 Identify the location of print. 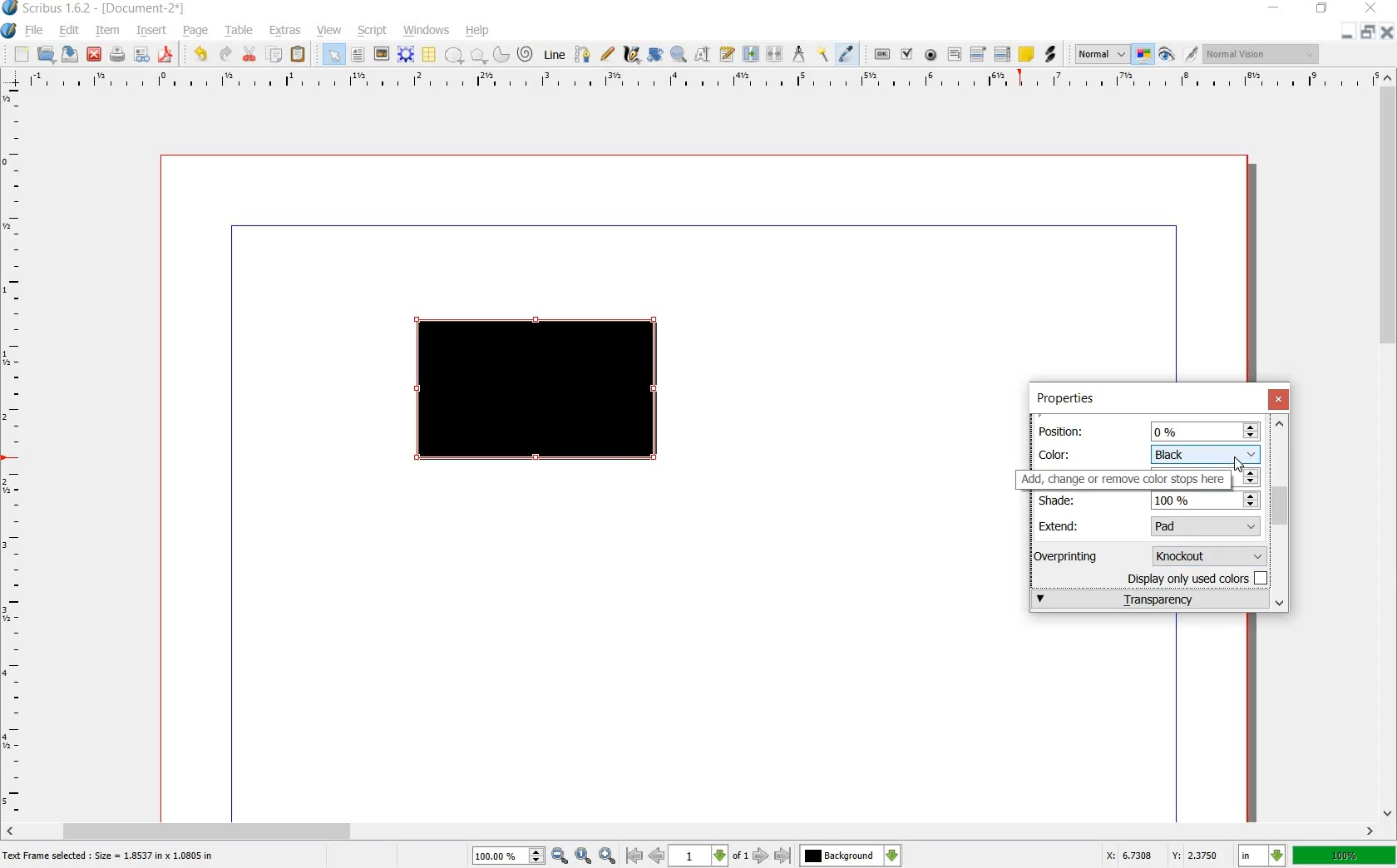
(117, 55).